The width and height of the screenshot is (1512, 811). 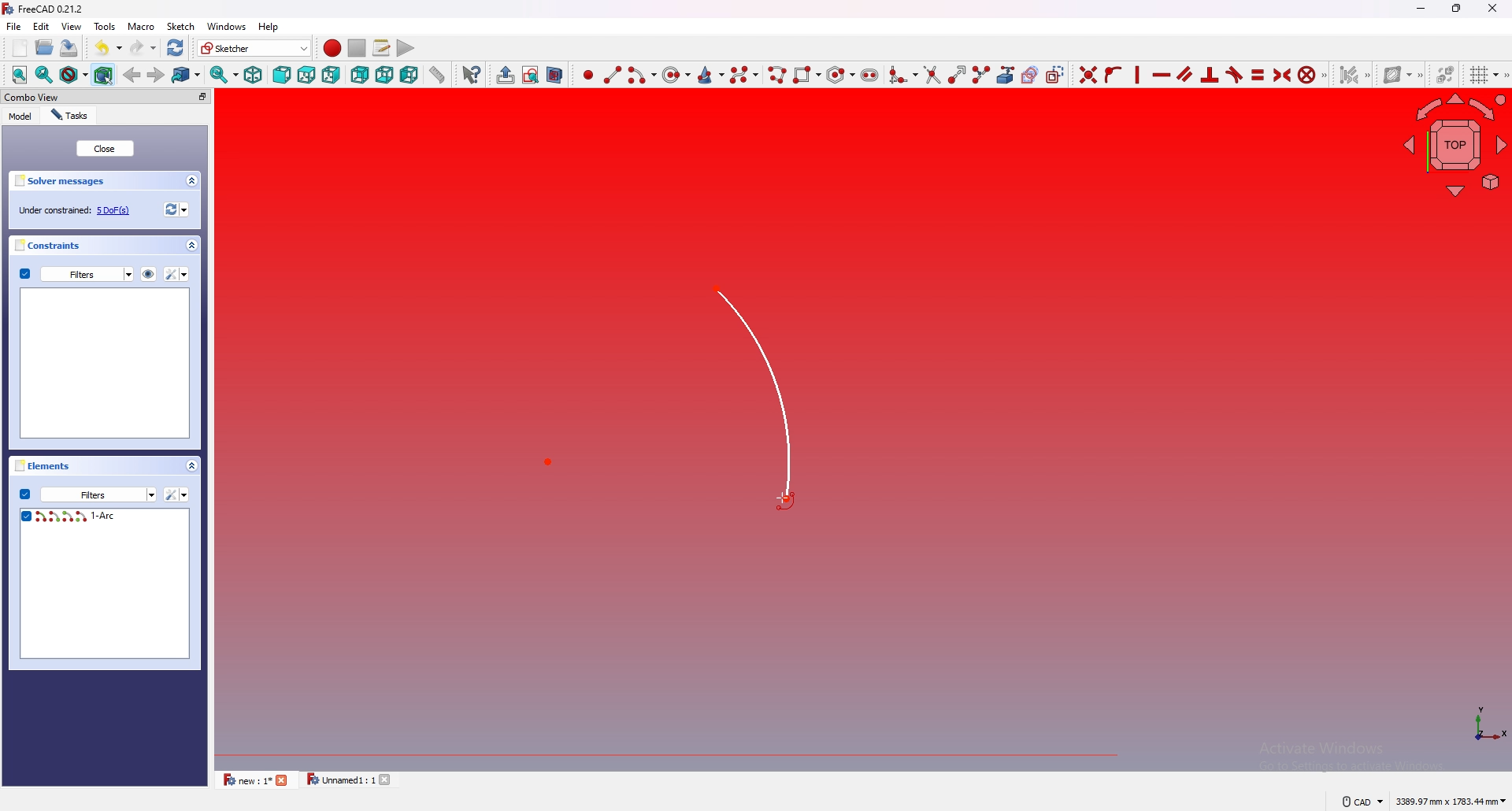 What do you see at coordinates (145, 47) in the screenshot?
I see `redo` at bounding box center [145, 47].